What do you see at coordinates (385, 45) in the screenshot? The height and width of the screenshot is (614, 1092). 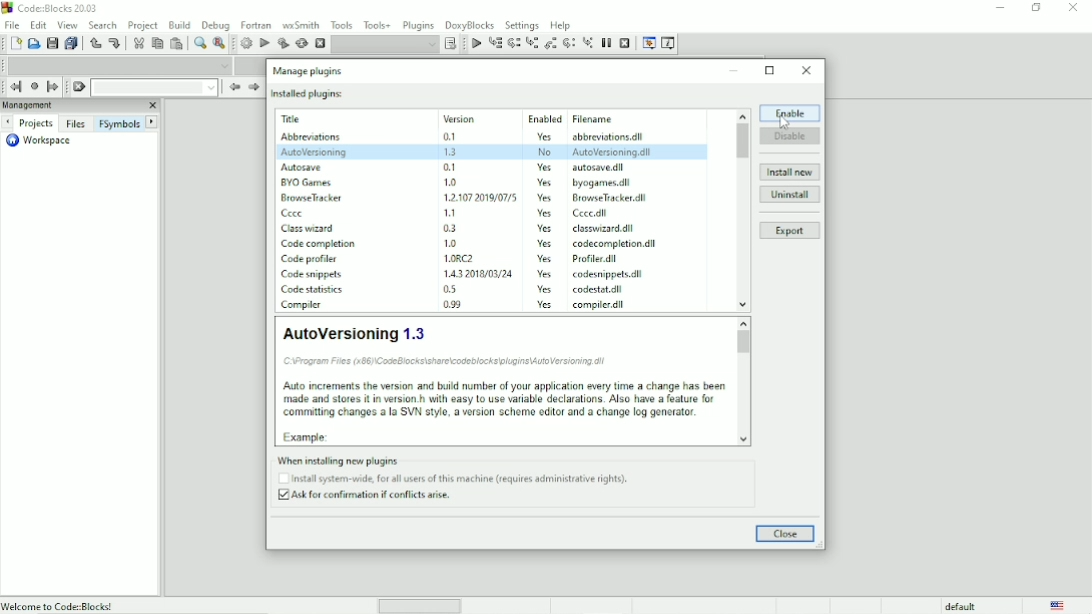 I see `Drop down` at bounding box center [385, 45].